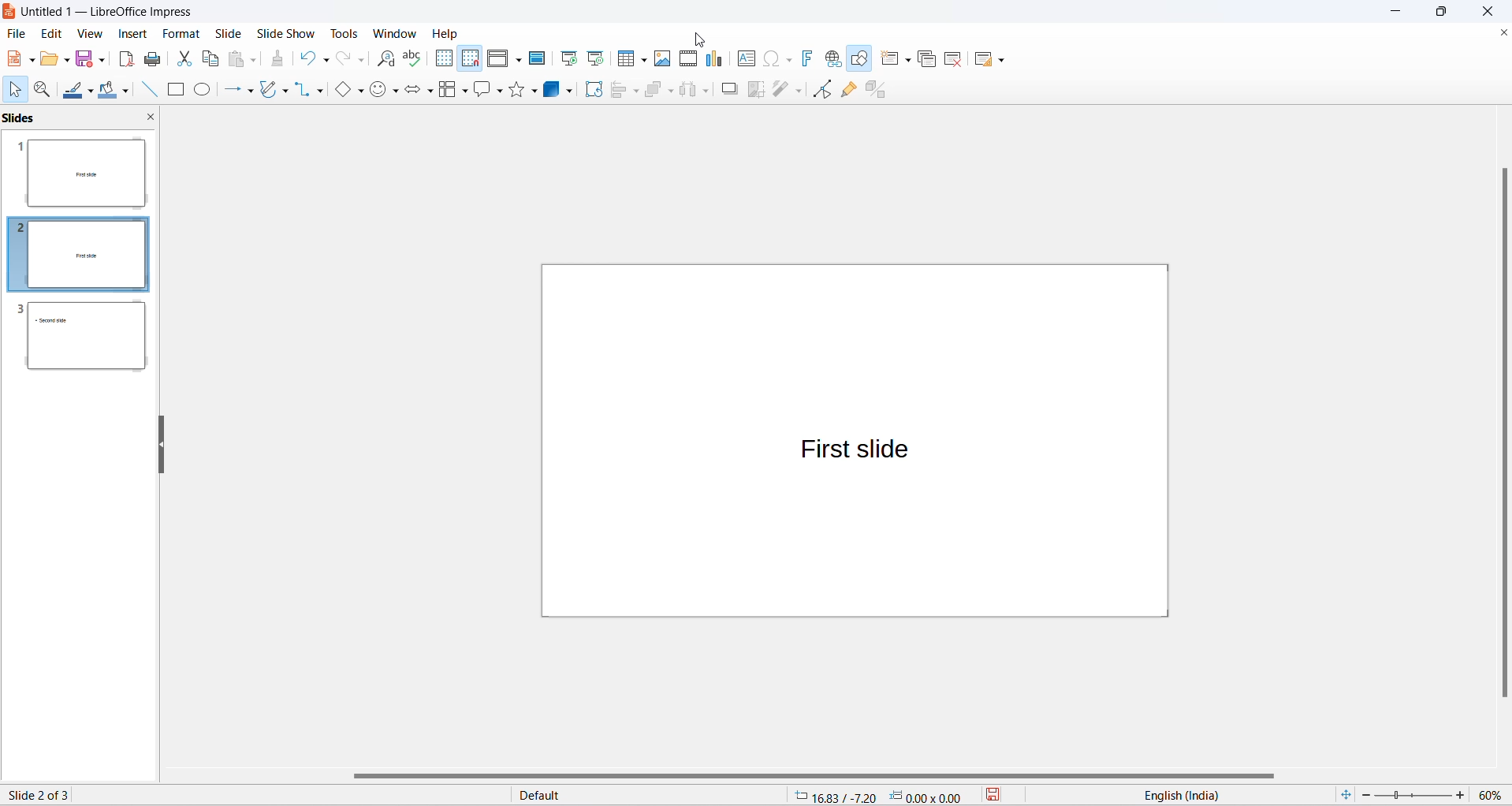 The width and height of the screenshot is (1512, 806). Describe the element at coordinates (126, 90) in the screenshot. I see `fill color options` at that location.